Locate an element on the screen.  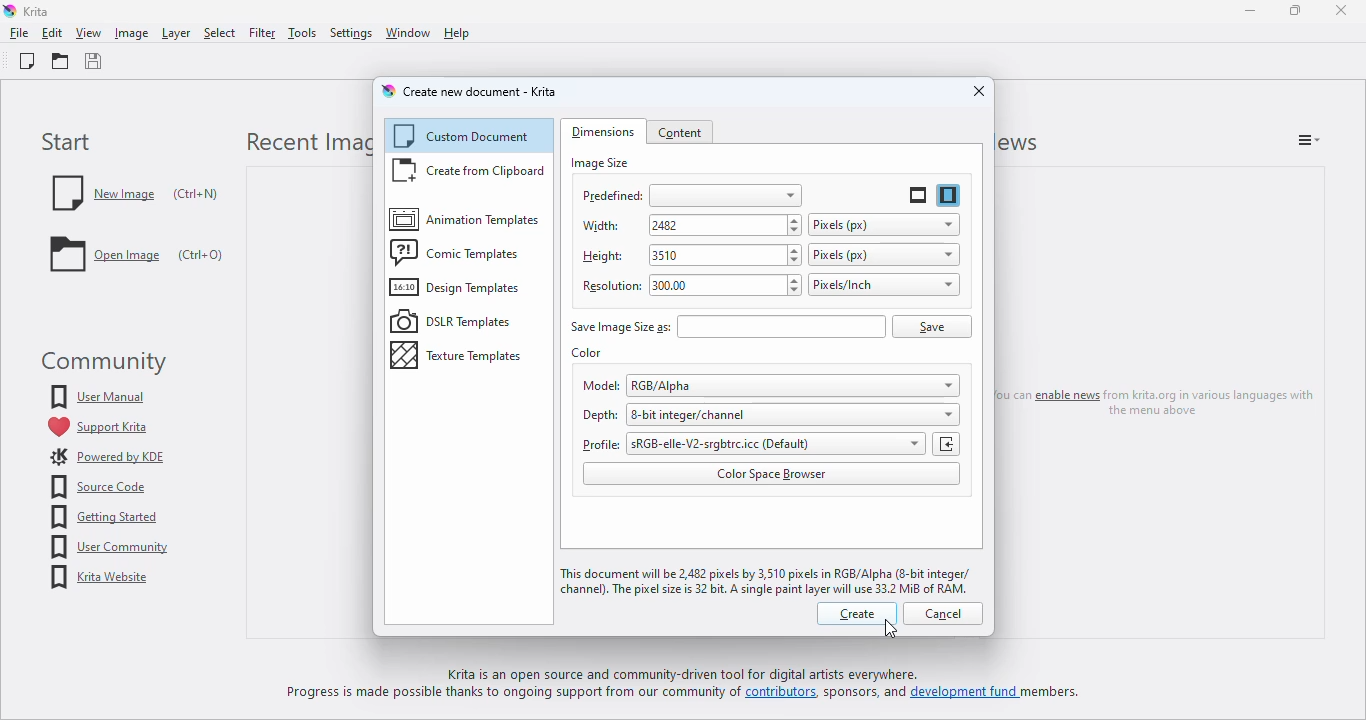
close is located at coordinates (1341, 10).